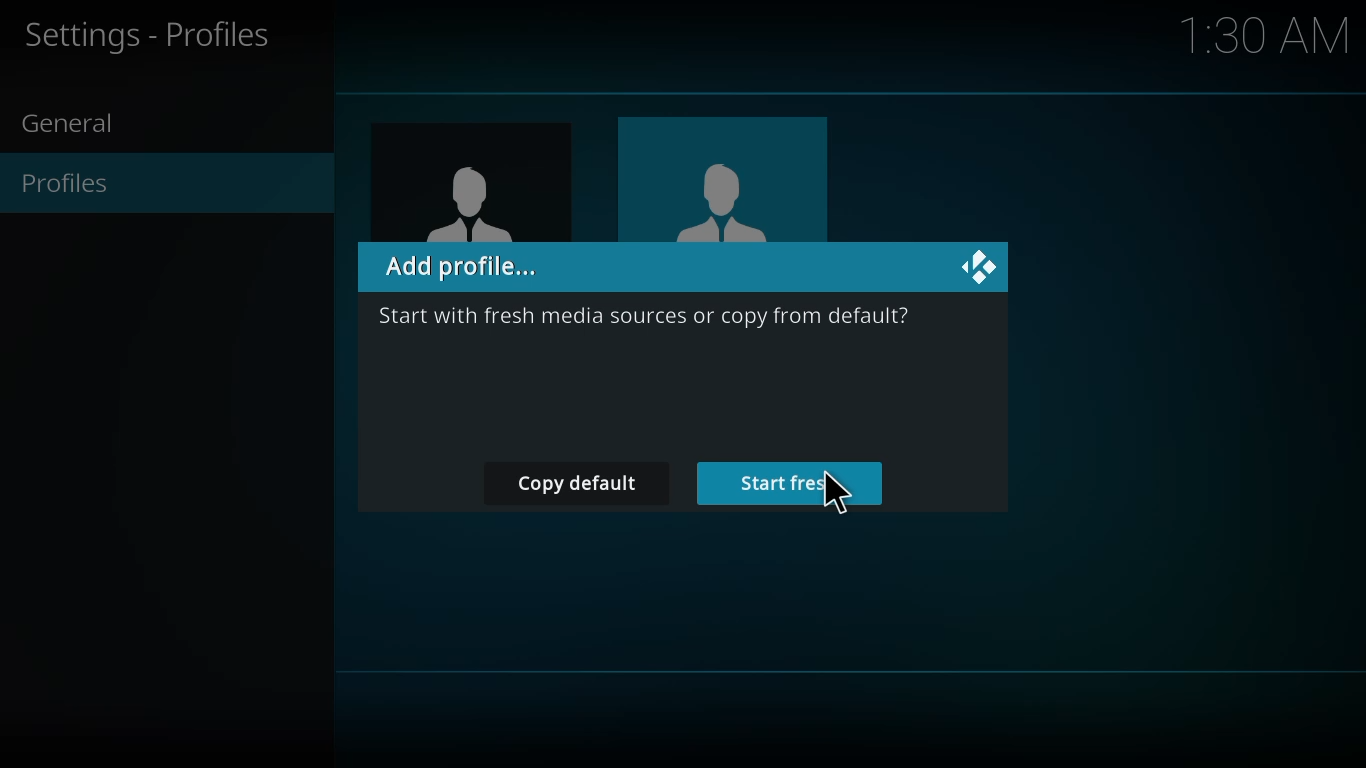  What do you see at coordinates (77, 183) in the screenshot?
I see `profiles` at bounding box center [77, 183].